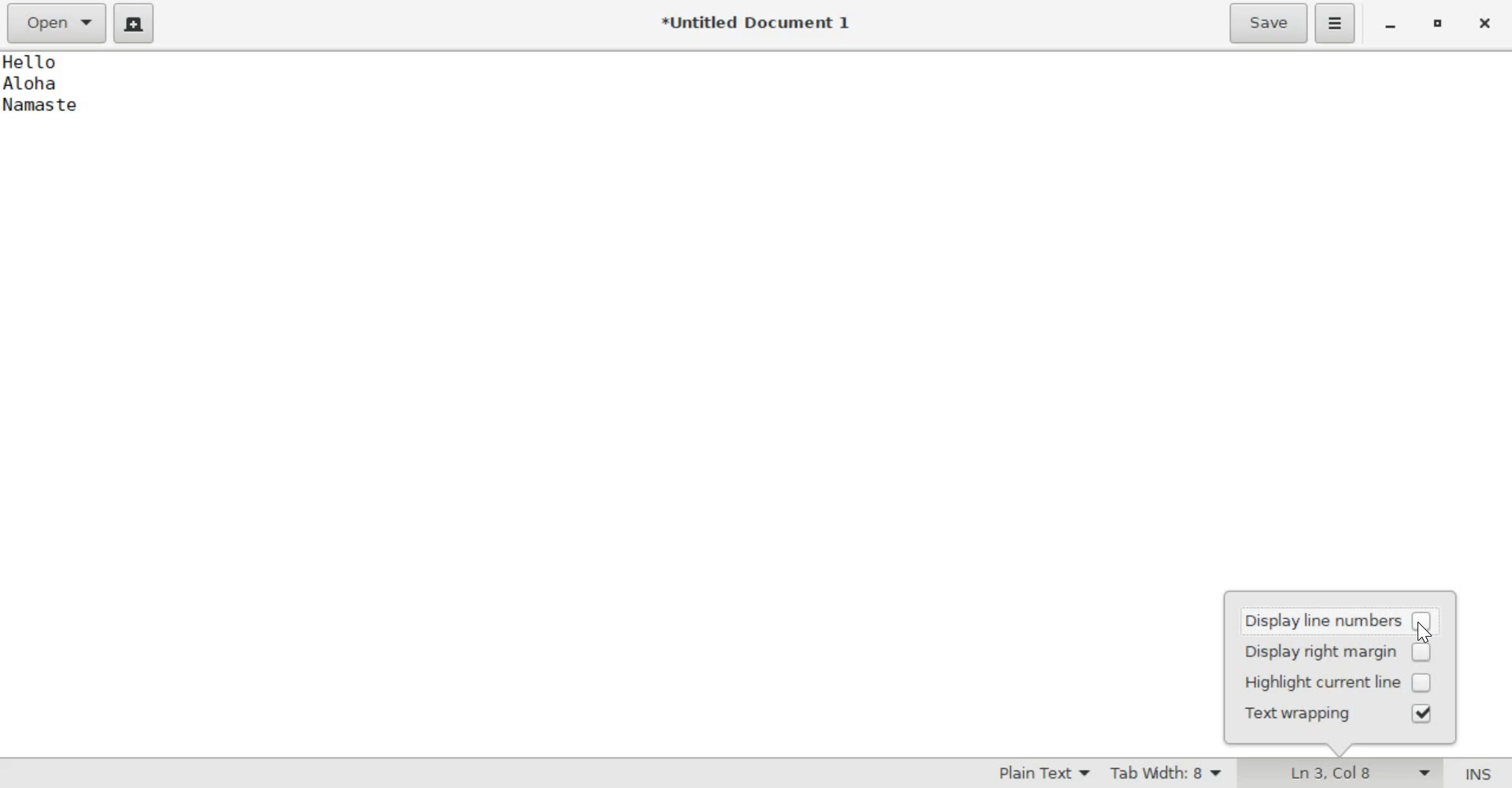 This screenshot has width=1512, height=788. Describe the element at coordinates (1342, 682) in the screenshot. I see `highlight current line` at that location.